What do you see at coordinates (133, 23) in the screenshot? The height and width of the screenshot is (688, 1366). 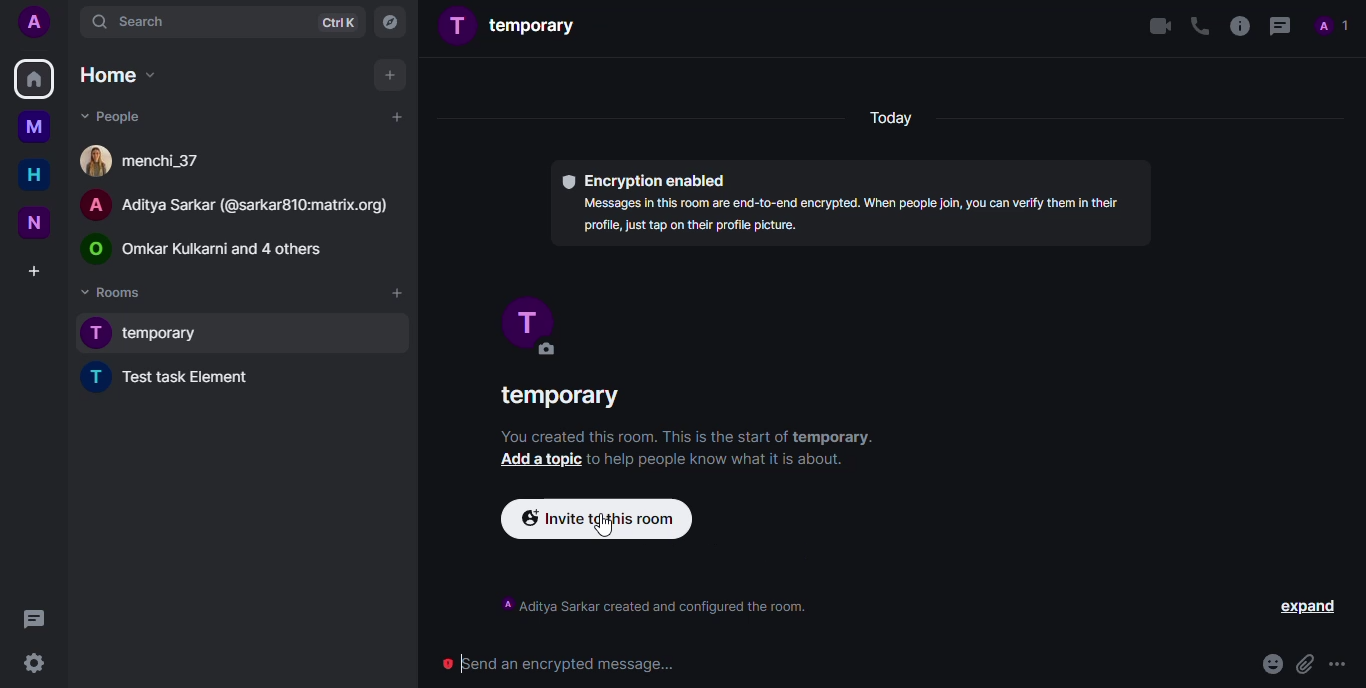 I see `search` at bounding box center [133, 23].